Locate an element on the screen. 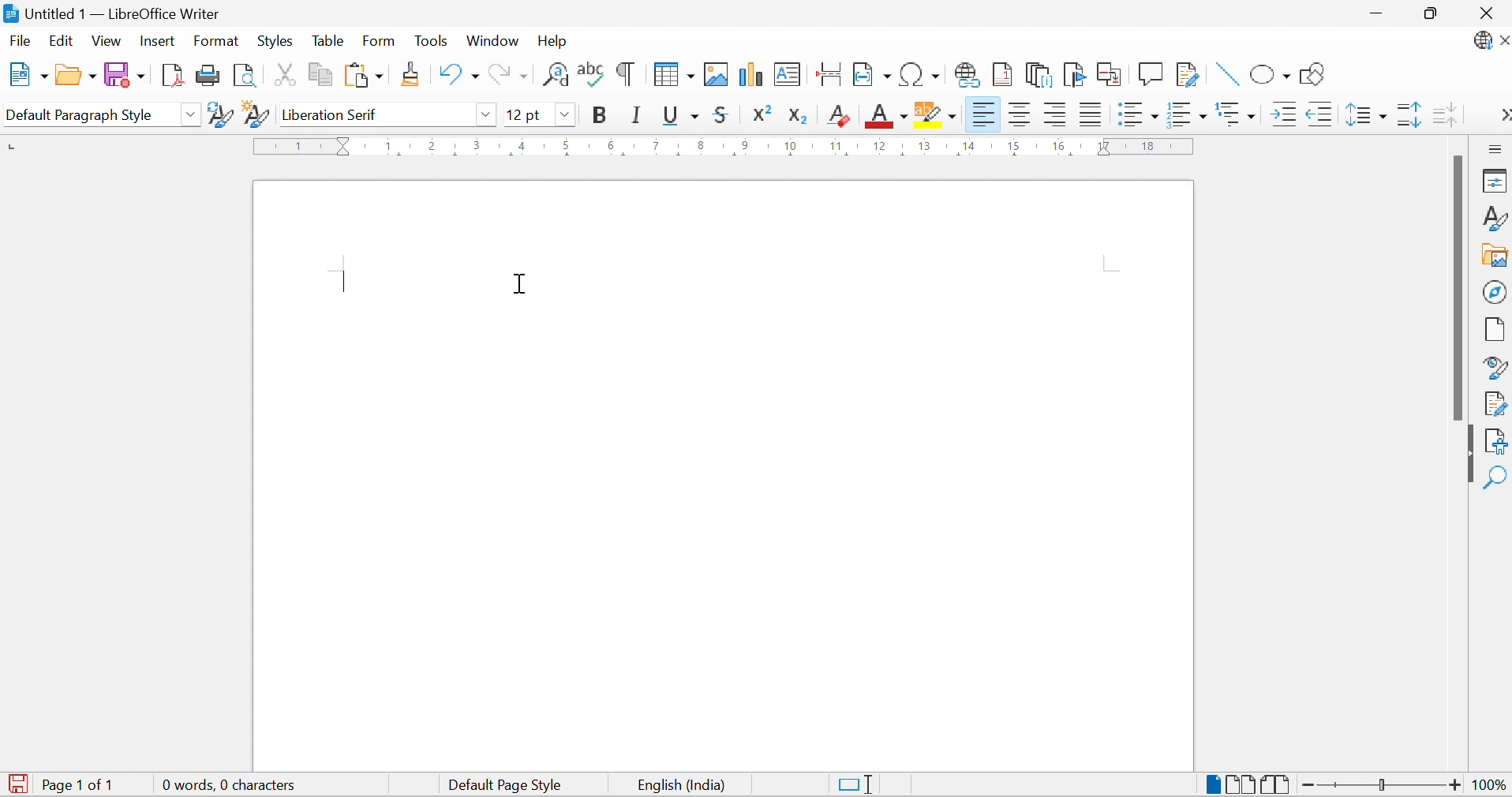 This screenshot has height=797, width=1512. Page is located at coordinates (1496, 330).